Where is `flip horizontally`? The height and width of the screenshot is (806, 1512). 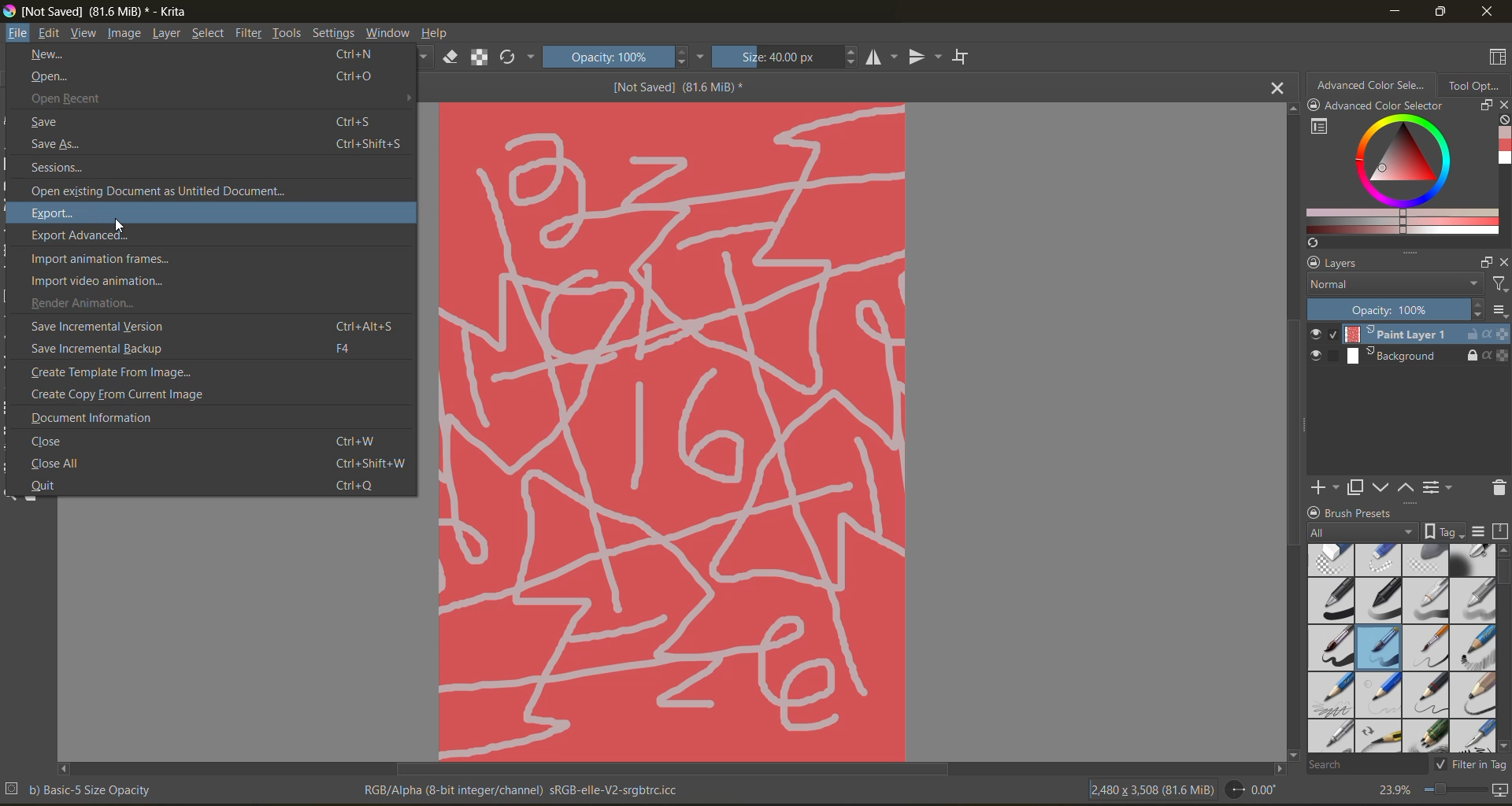
flip horizontally is located at coordinates (879, 57).